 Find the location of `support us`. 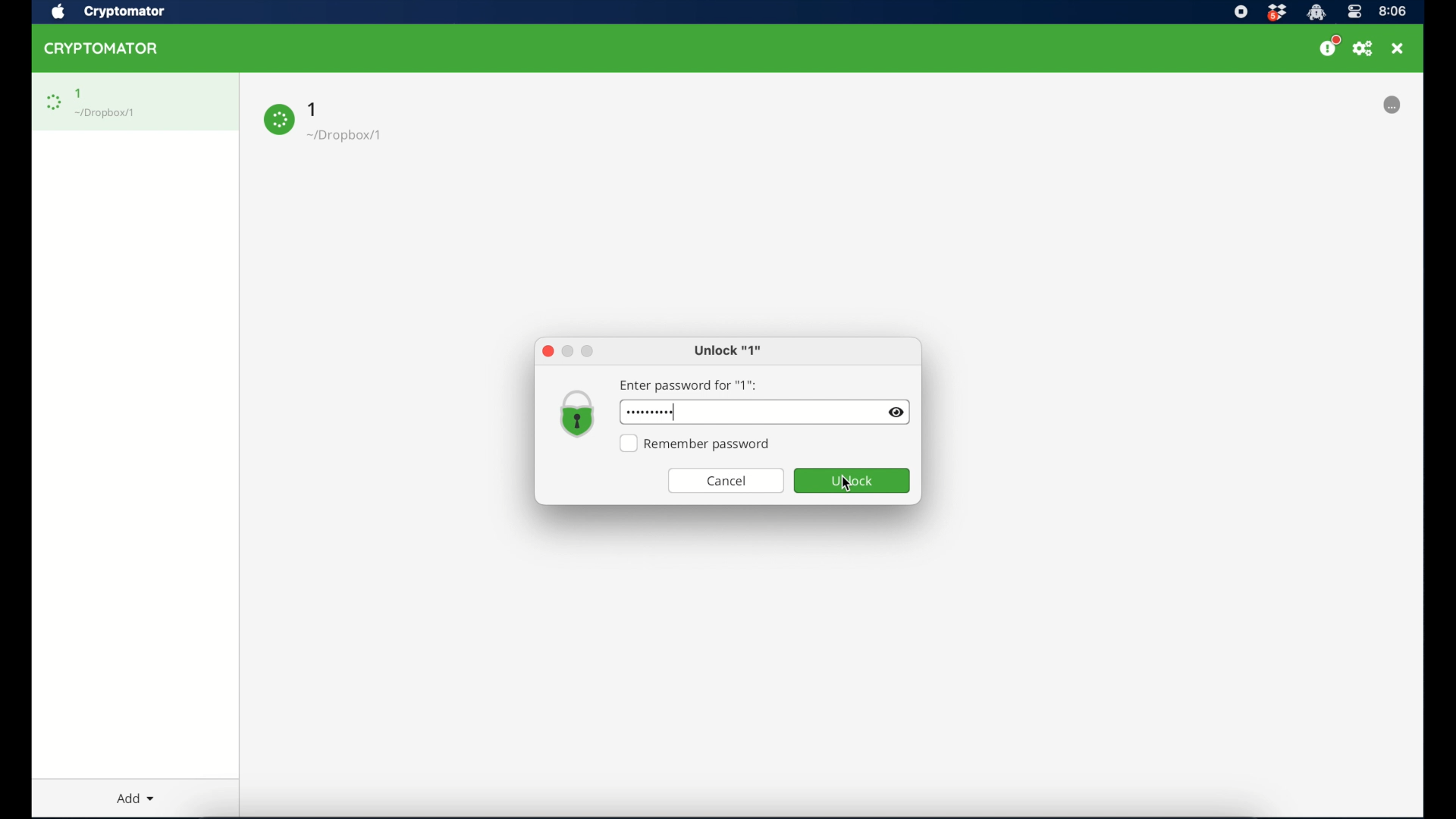

support us is located at coordinates (1329, 46).